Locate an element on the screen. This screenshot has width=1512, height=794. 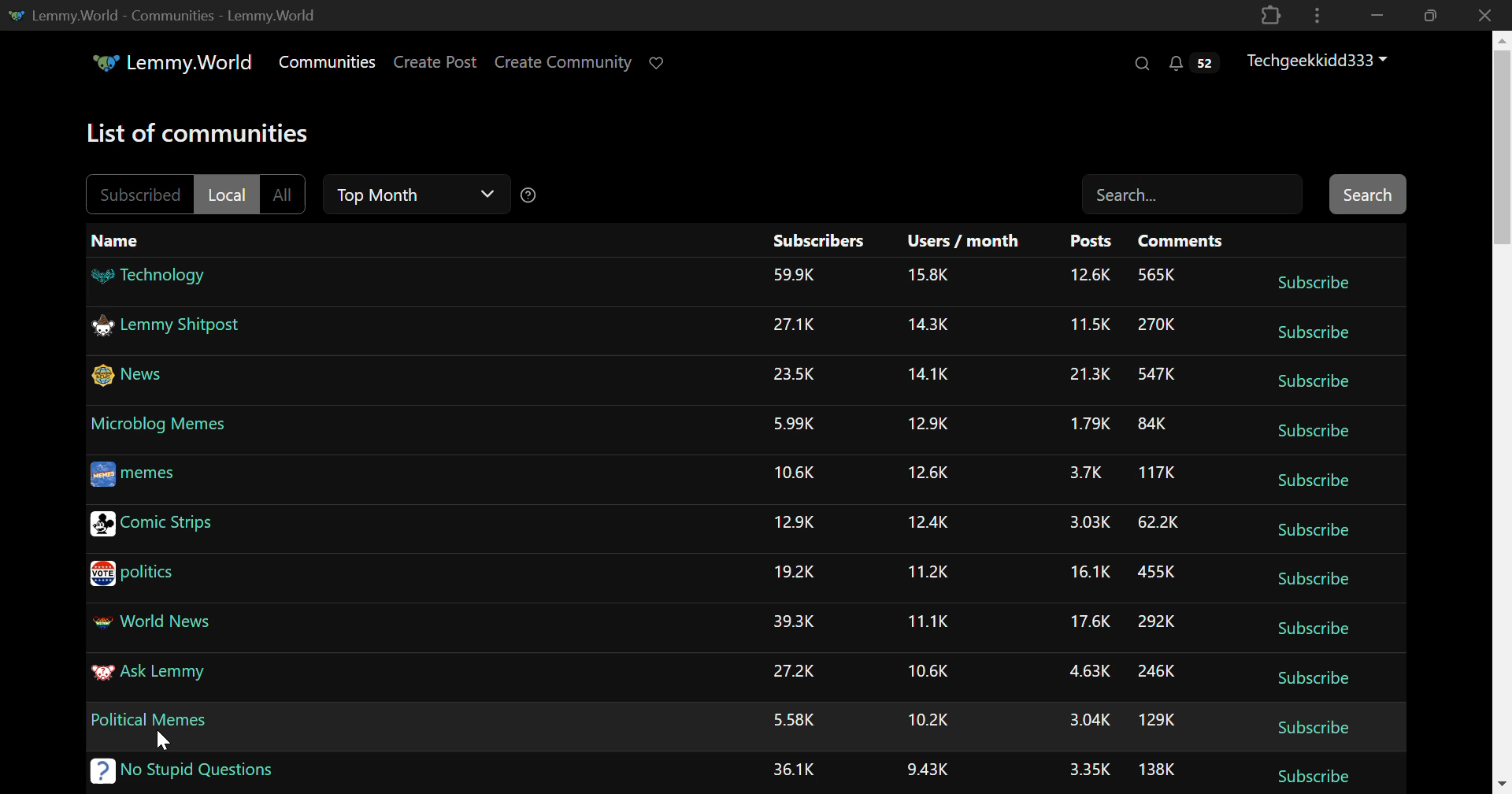
Amount is located at coordinates (1158, 769).